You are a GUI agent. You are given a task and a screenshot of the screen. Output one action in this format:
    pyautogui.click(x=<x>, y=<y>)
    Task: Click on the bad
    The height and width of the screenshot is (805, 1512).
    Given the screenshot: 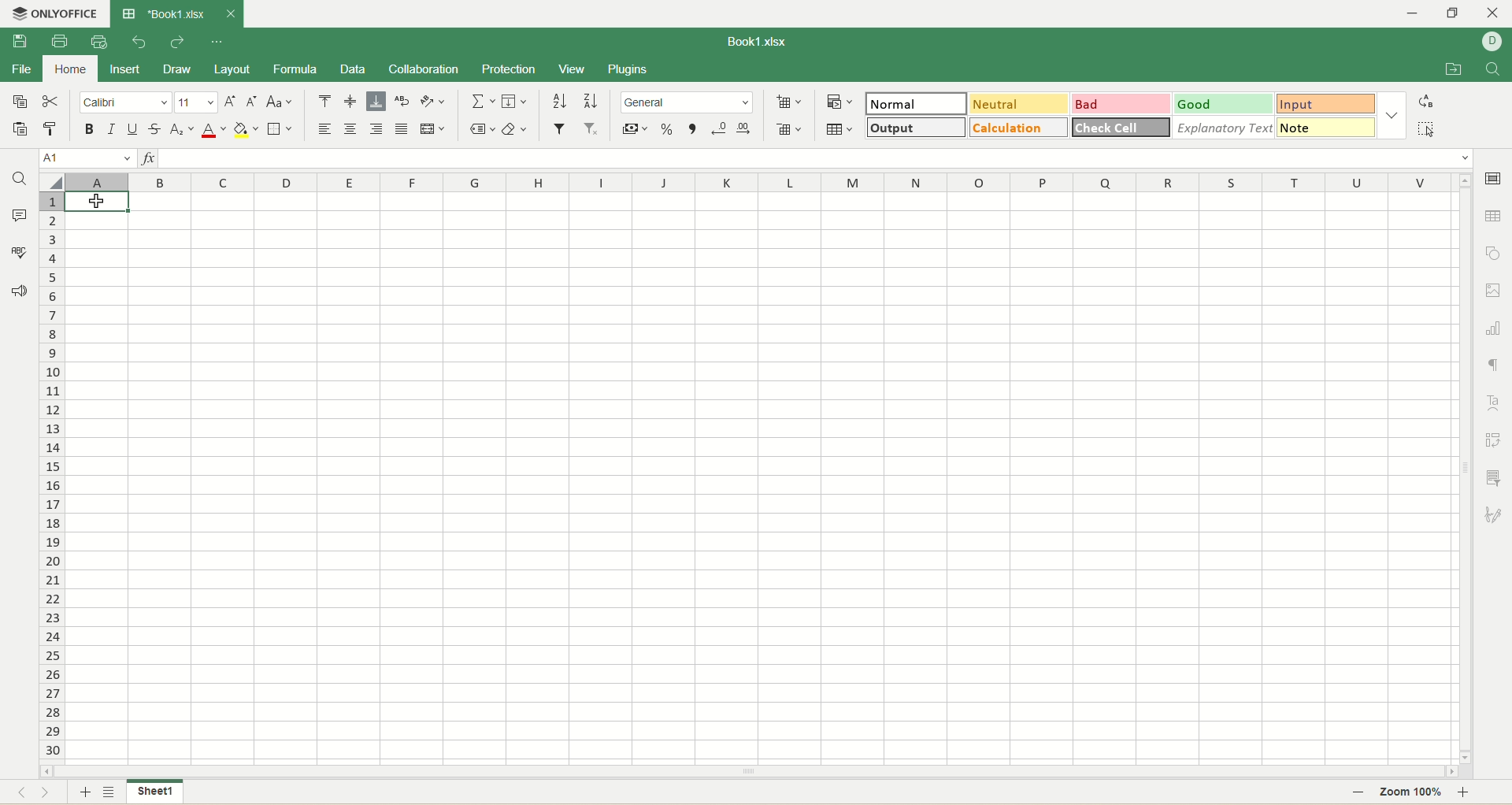 What is the action you would take?
    pyautogui.click(x=1123, y=104)
    